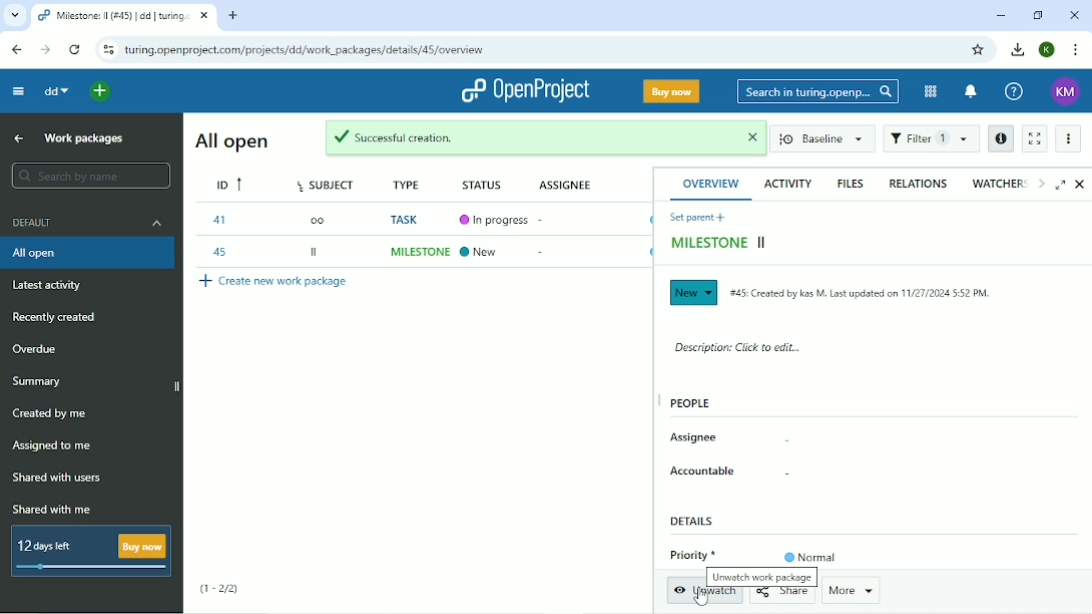  What do you see at coordinates (1075, 16) in the screenshot?
I see `Close` at bounding box center [1075, 16].